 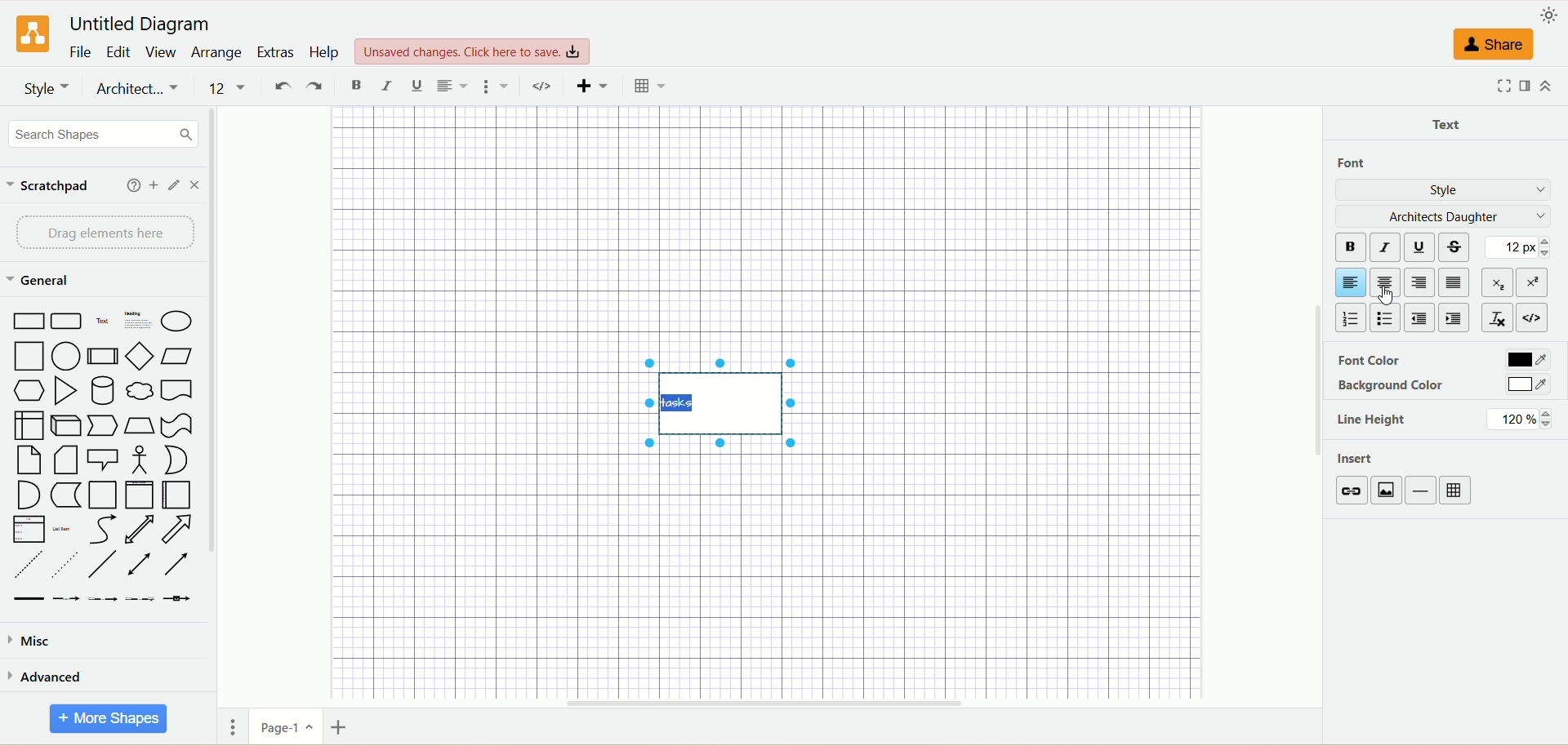 I want to click on Marker, so click(x=66, y=496).